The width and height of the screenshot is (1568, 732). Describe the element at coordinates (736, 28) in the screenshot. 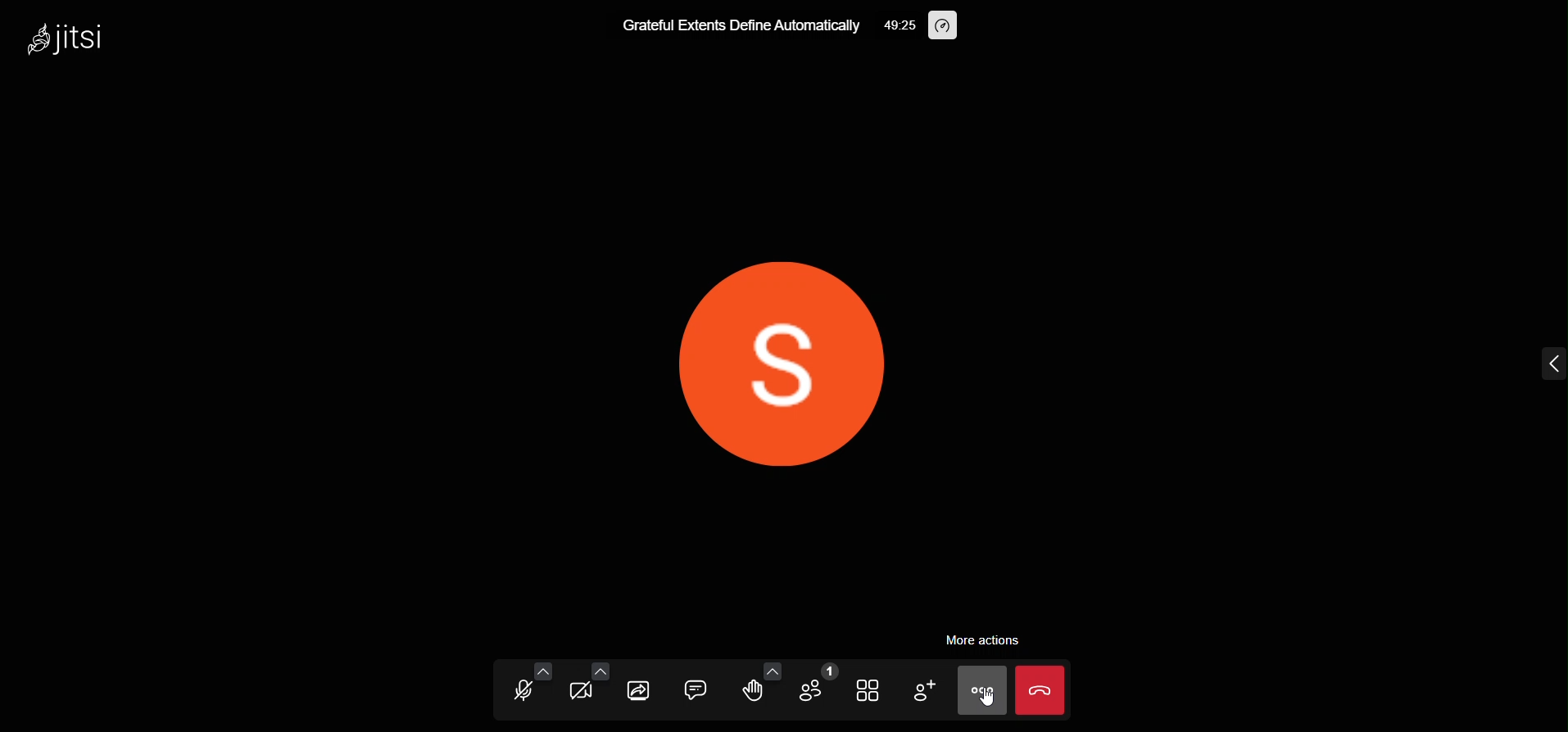

I see `meeting title` at that location.